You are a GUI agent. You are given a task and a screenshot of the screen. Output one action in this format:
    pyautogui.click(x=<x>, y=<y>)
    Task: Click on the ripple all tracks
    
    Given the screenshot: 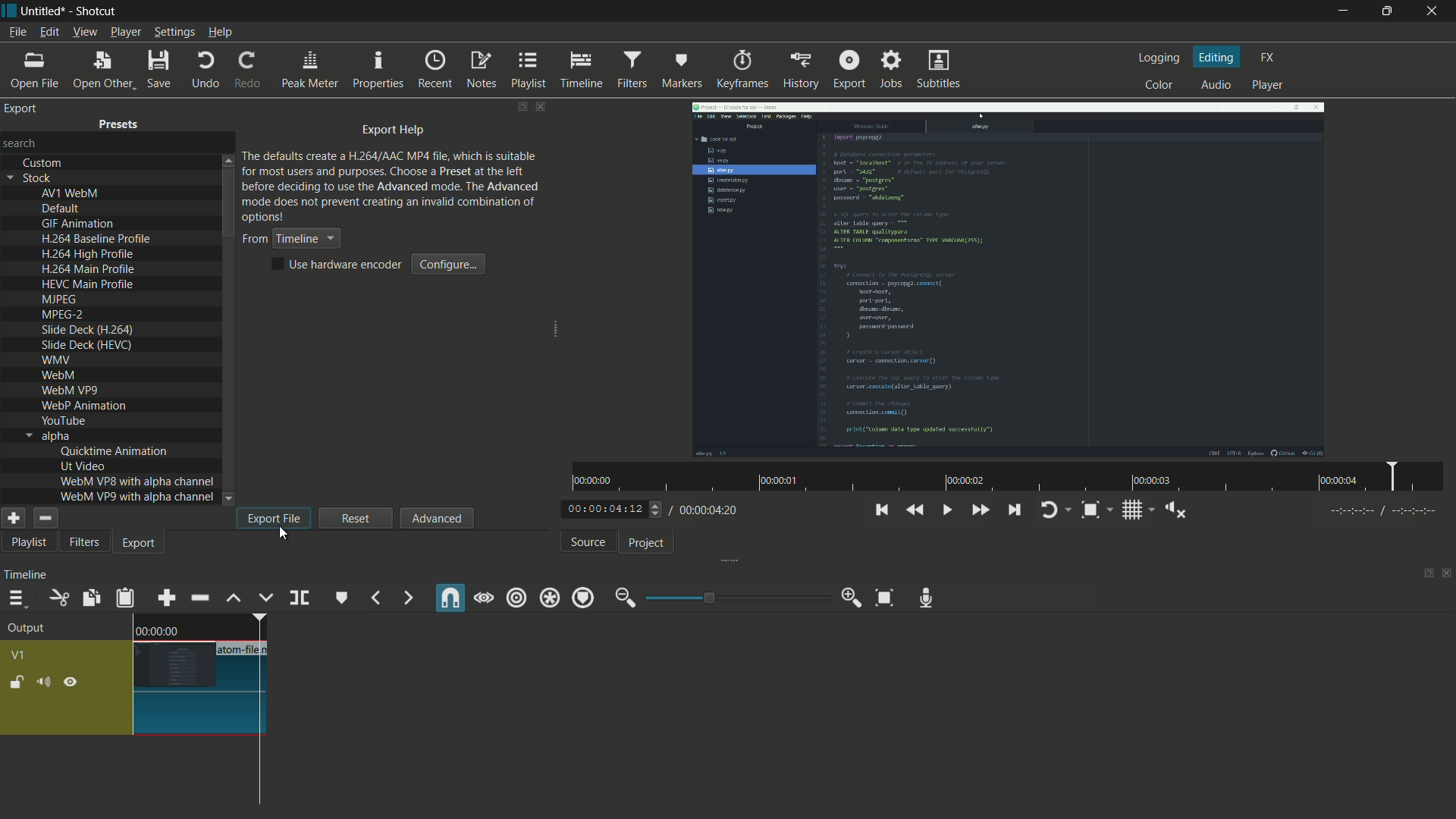 What is the action you would take?
    pyautogui.click(x=549, y=598)
    